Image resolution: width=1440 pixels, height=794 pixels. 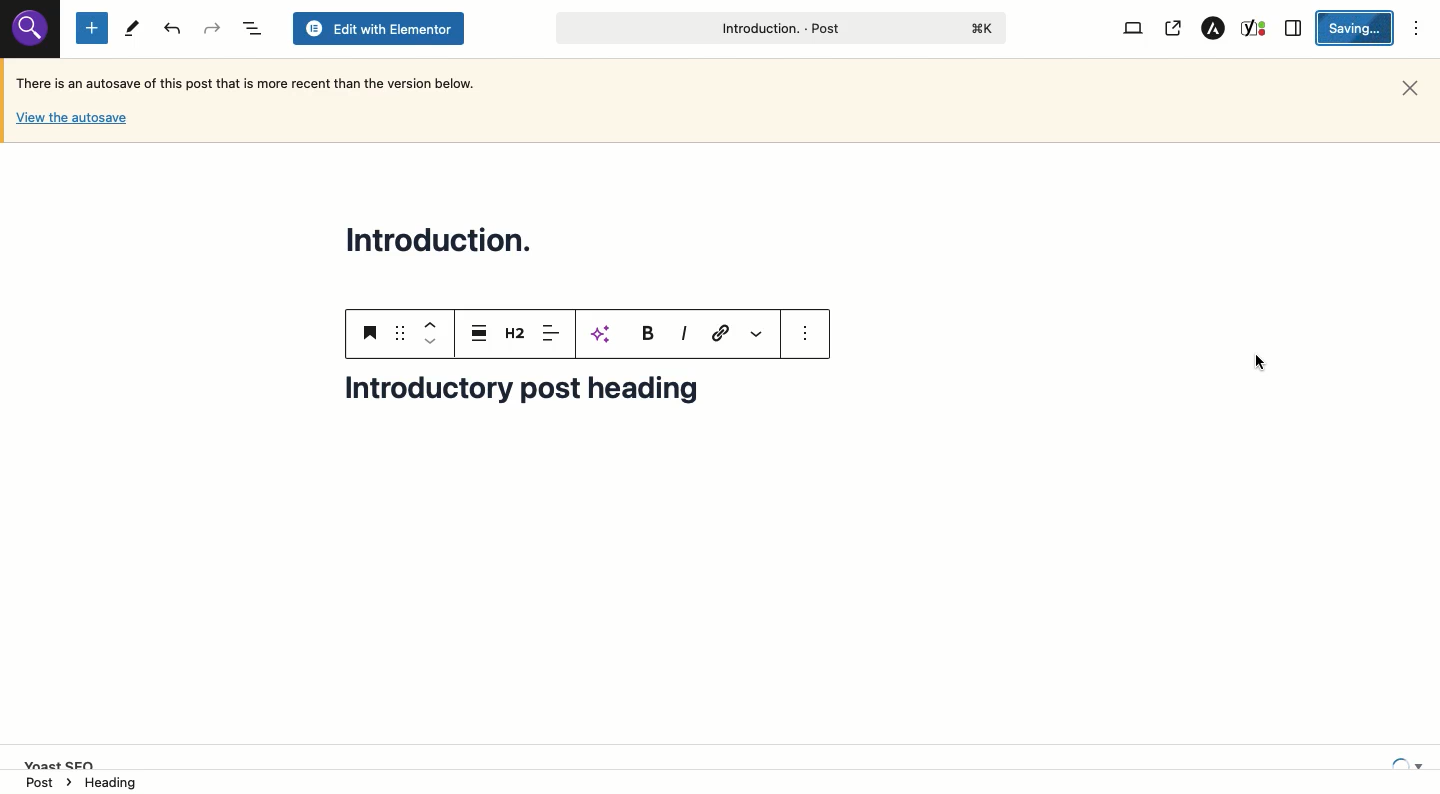 I want to click on Astar, so click(x=1215, y=28).